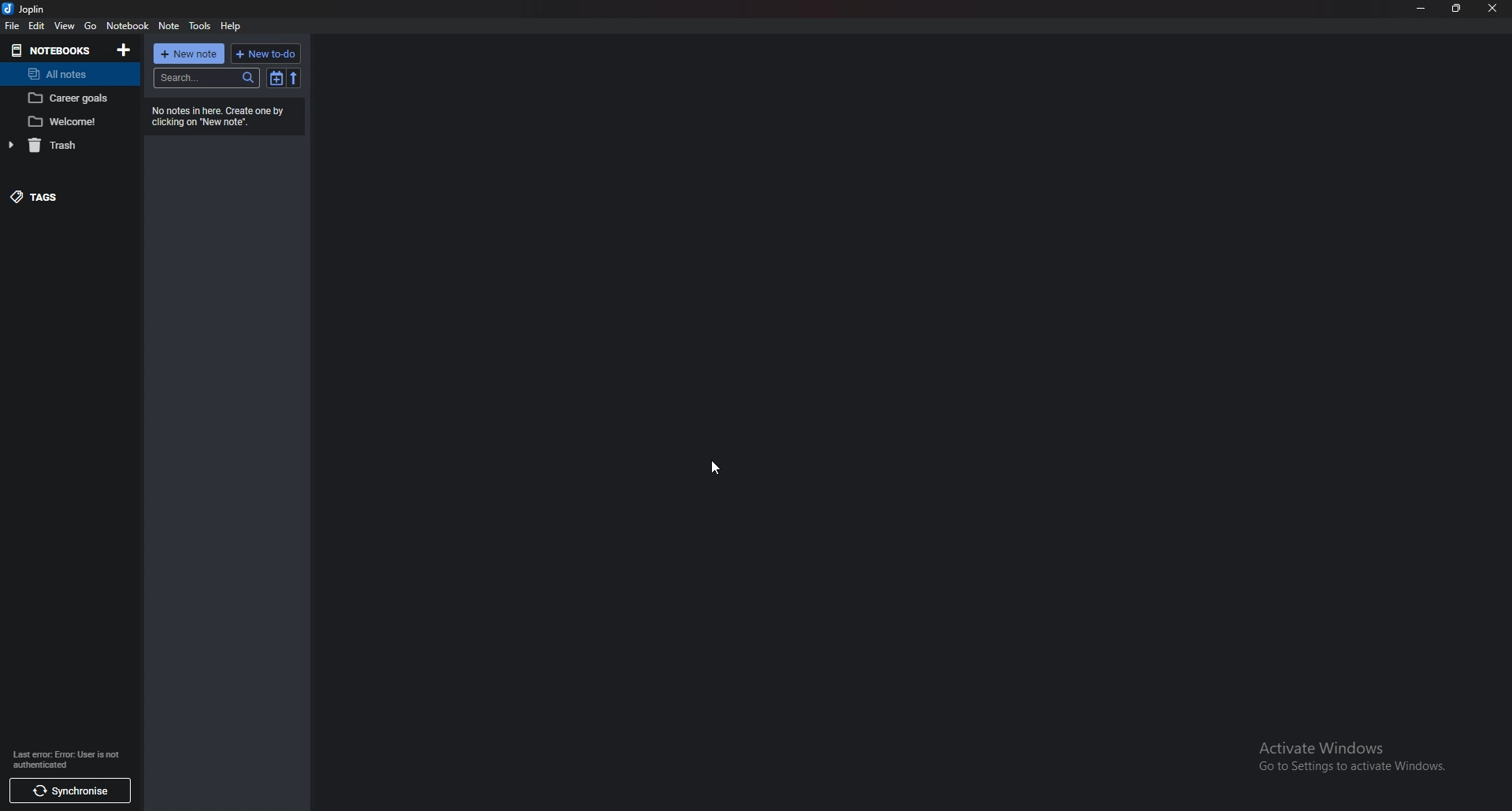 This screenshot has width=1512, height=811. What do you see at coordinates (199, 25) in the screenshot?
I see `tools` at bounding box center [199, 25].